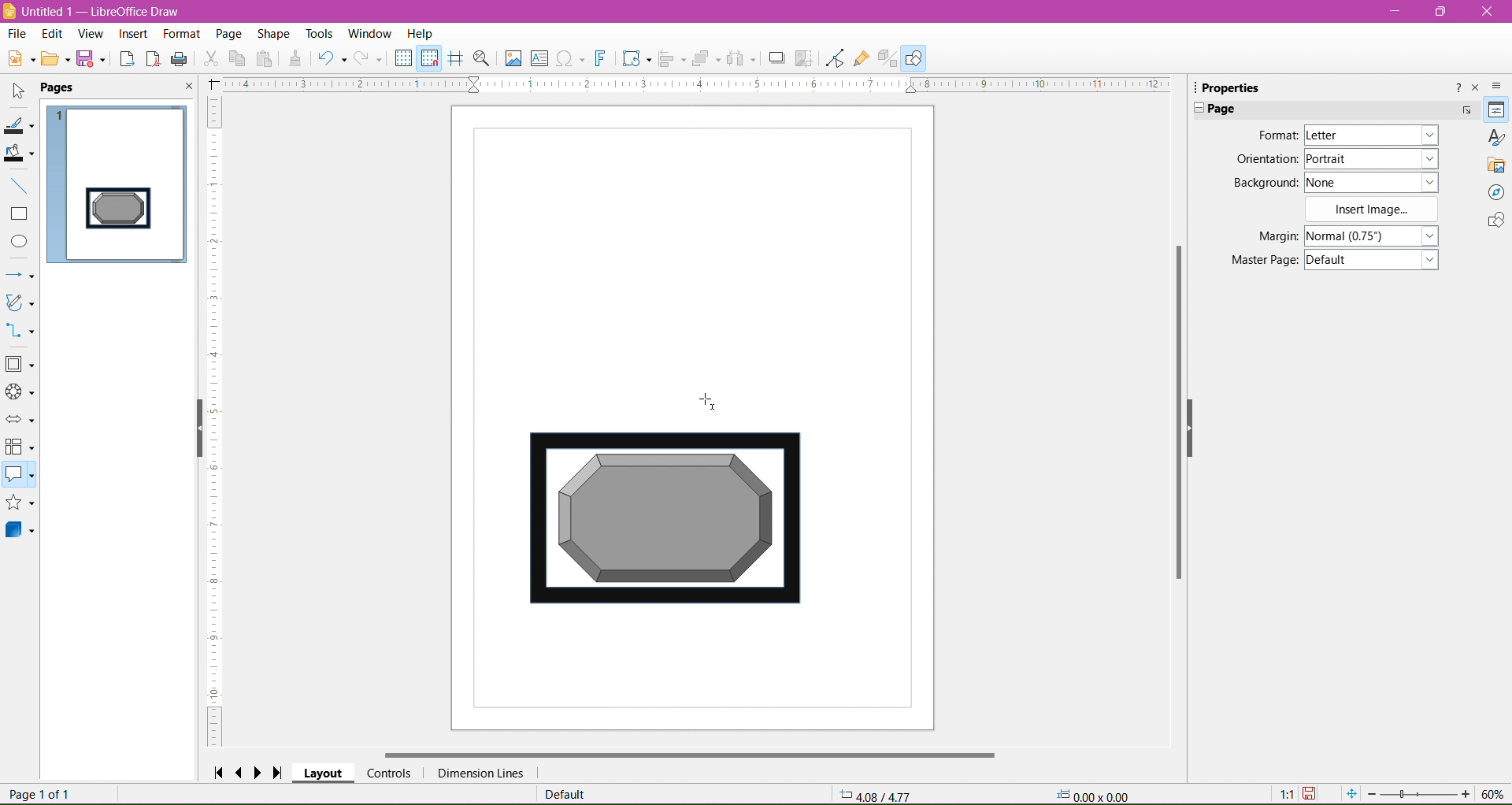 The height and width of the screenshot is (805, 1512). Describe the element at coordinates (1266, 160) in the screenshot. I see `Orientation` at that location.